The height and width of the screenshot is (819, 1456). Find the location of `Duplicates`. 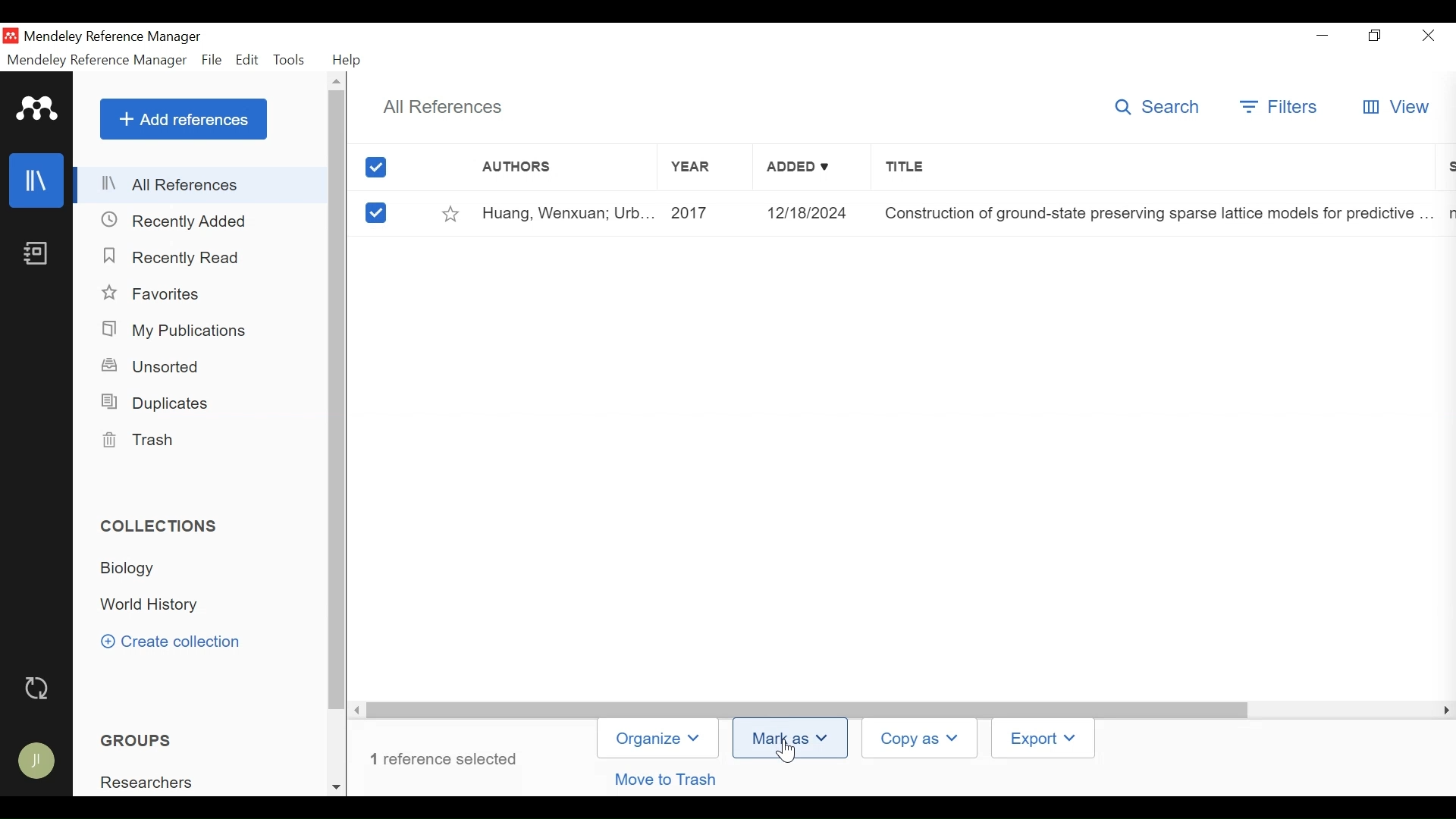

Duplicates is located at coordinates (157, 403).